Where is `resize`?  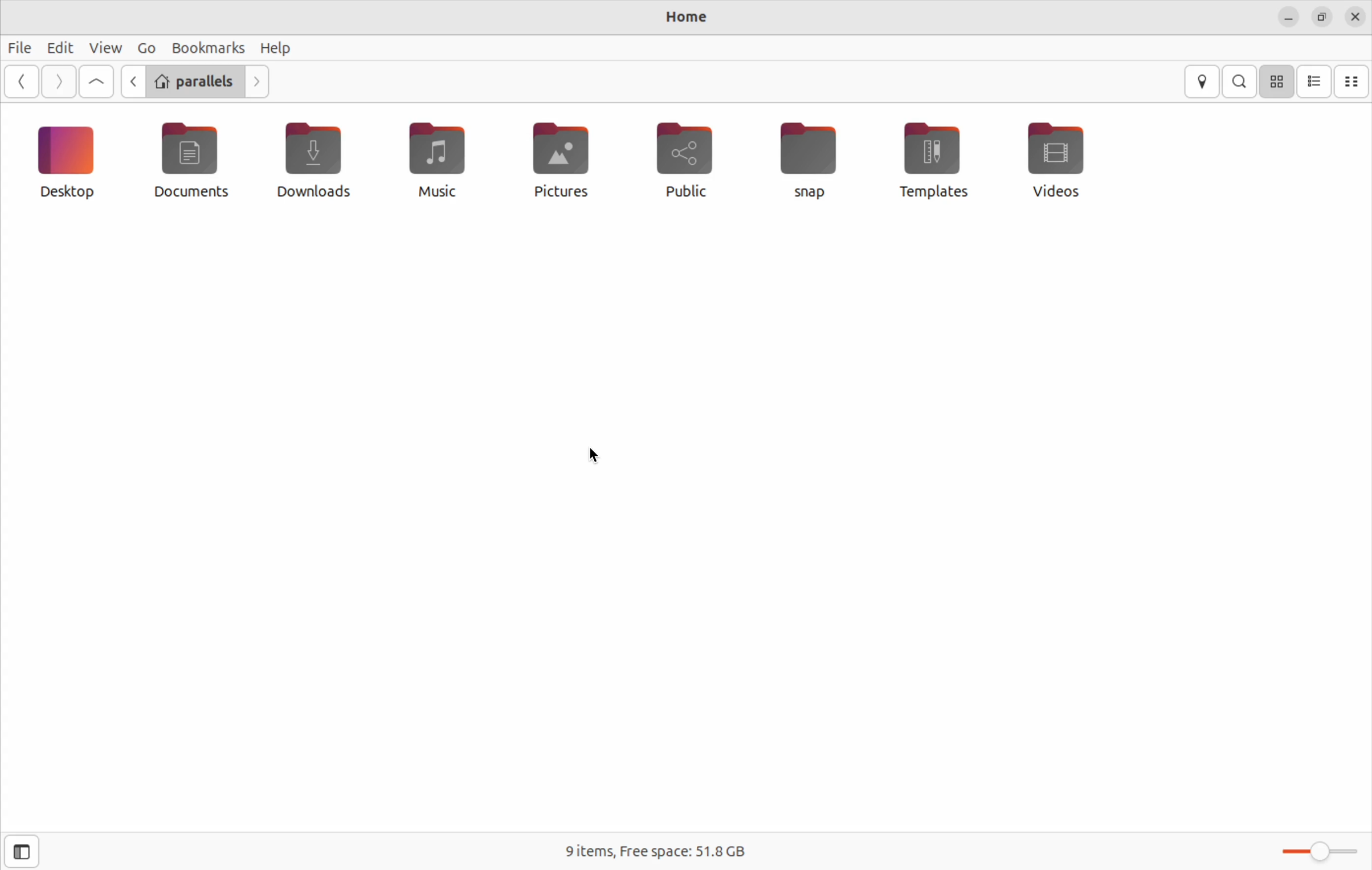
resize is located at coordinates (1321, 15).